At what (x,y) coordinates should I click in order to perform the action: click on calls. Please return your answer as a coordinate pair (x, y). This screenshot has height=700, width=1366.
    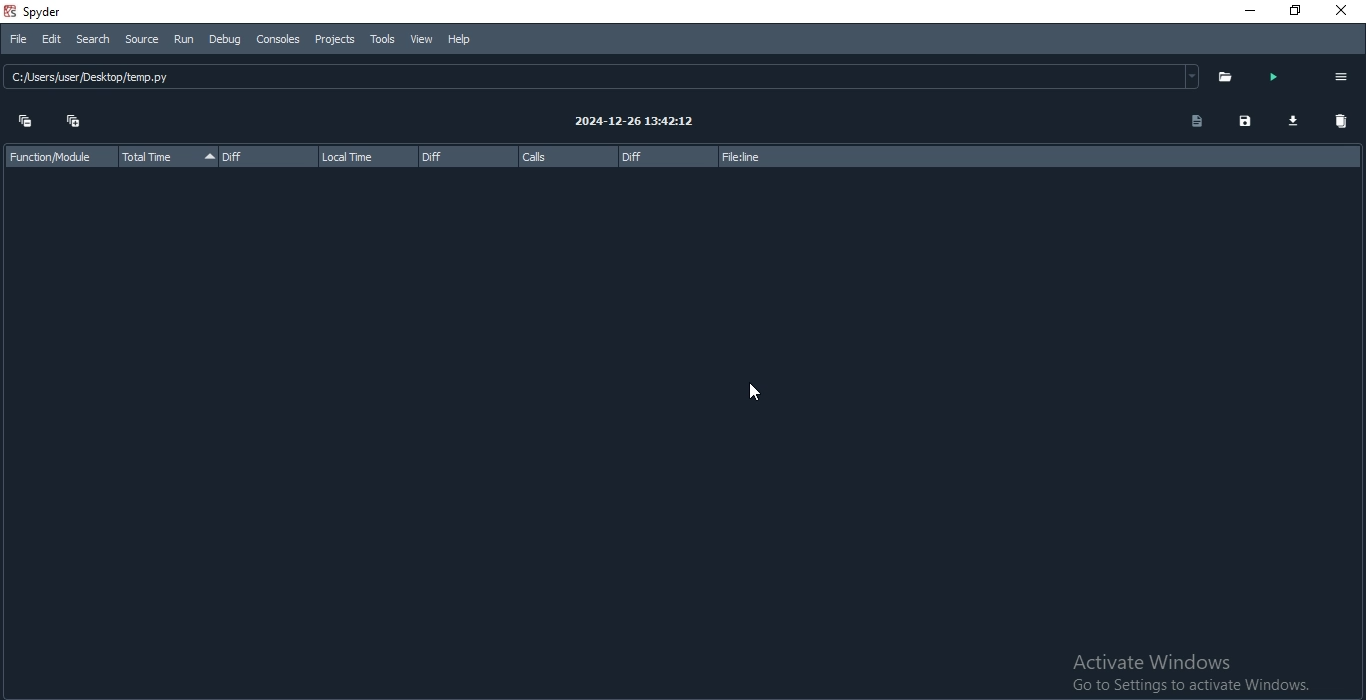
    Looking at the image, I should click on (567, 156).